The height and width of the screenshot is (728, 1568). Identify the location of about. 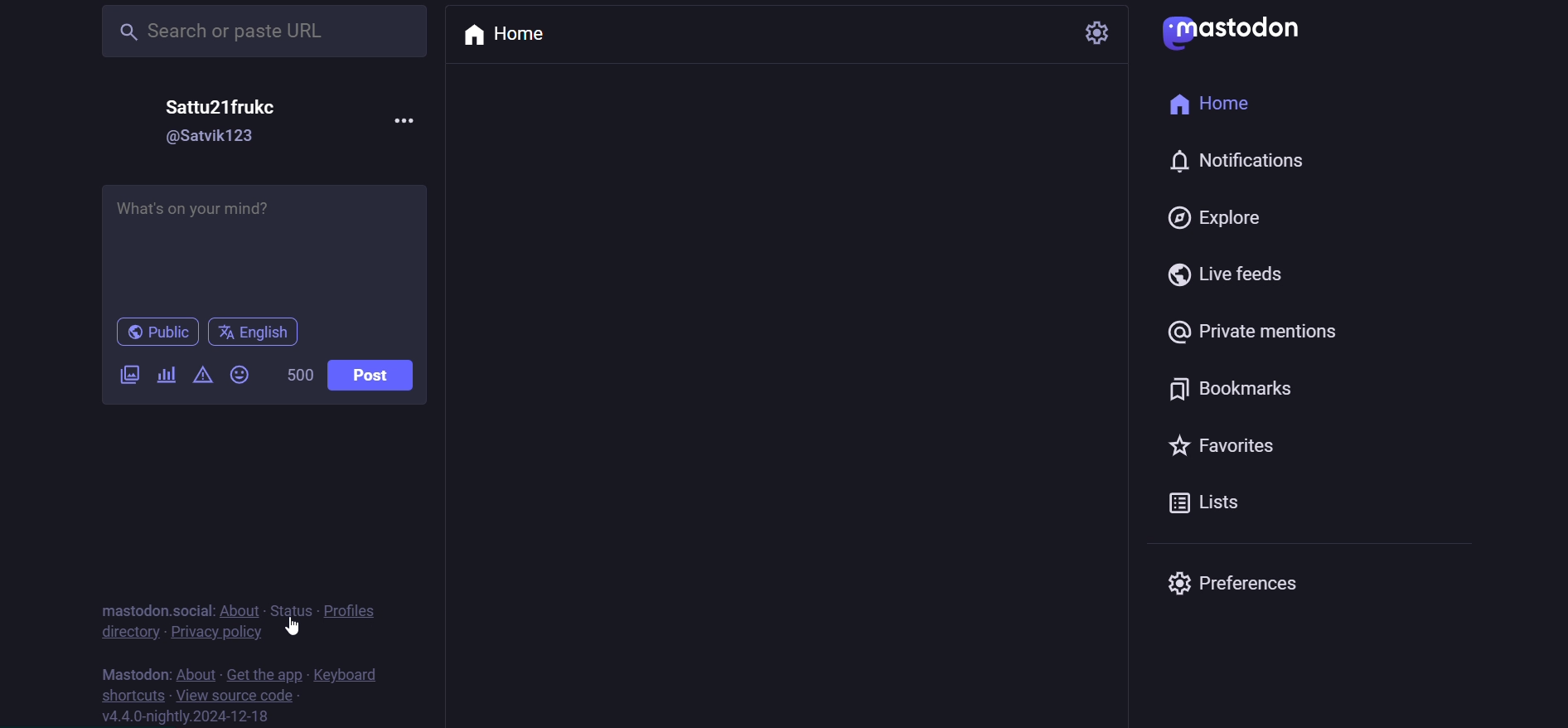
(196, 672).